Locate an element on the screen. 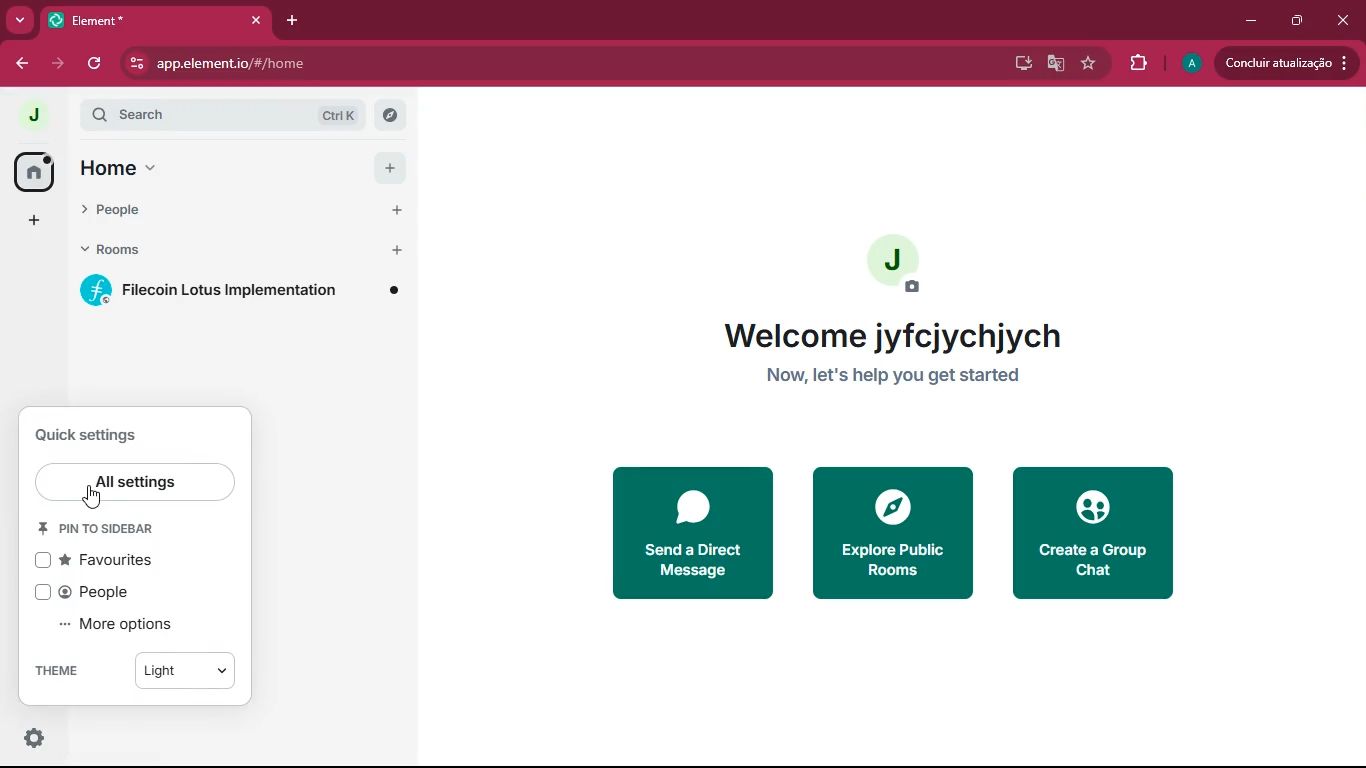 This screenshot has height=768, width=1366. all settings is located at coordinates (133, 483).